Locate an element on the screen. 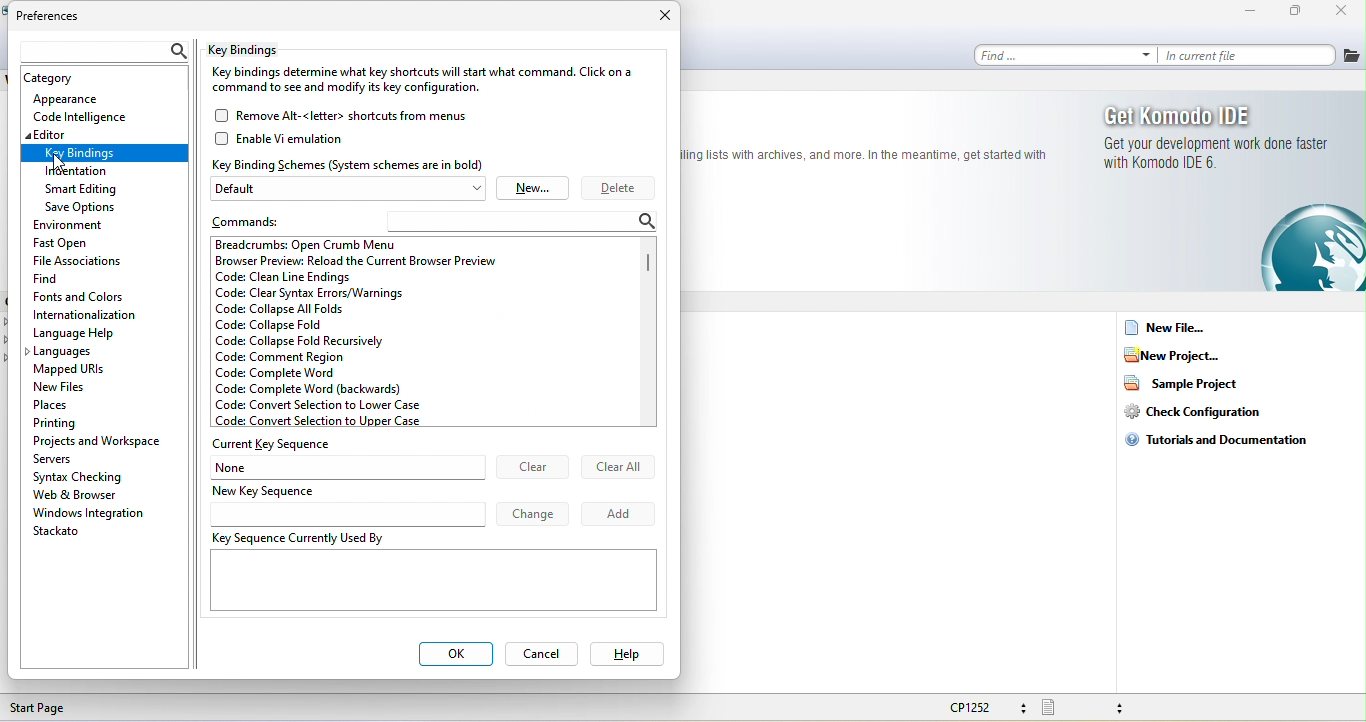 The image size is (1366, 722). commands is located at coordinates (258, 220).